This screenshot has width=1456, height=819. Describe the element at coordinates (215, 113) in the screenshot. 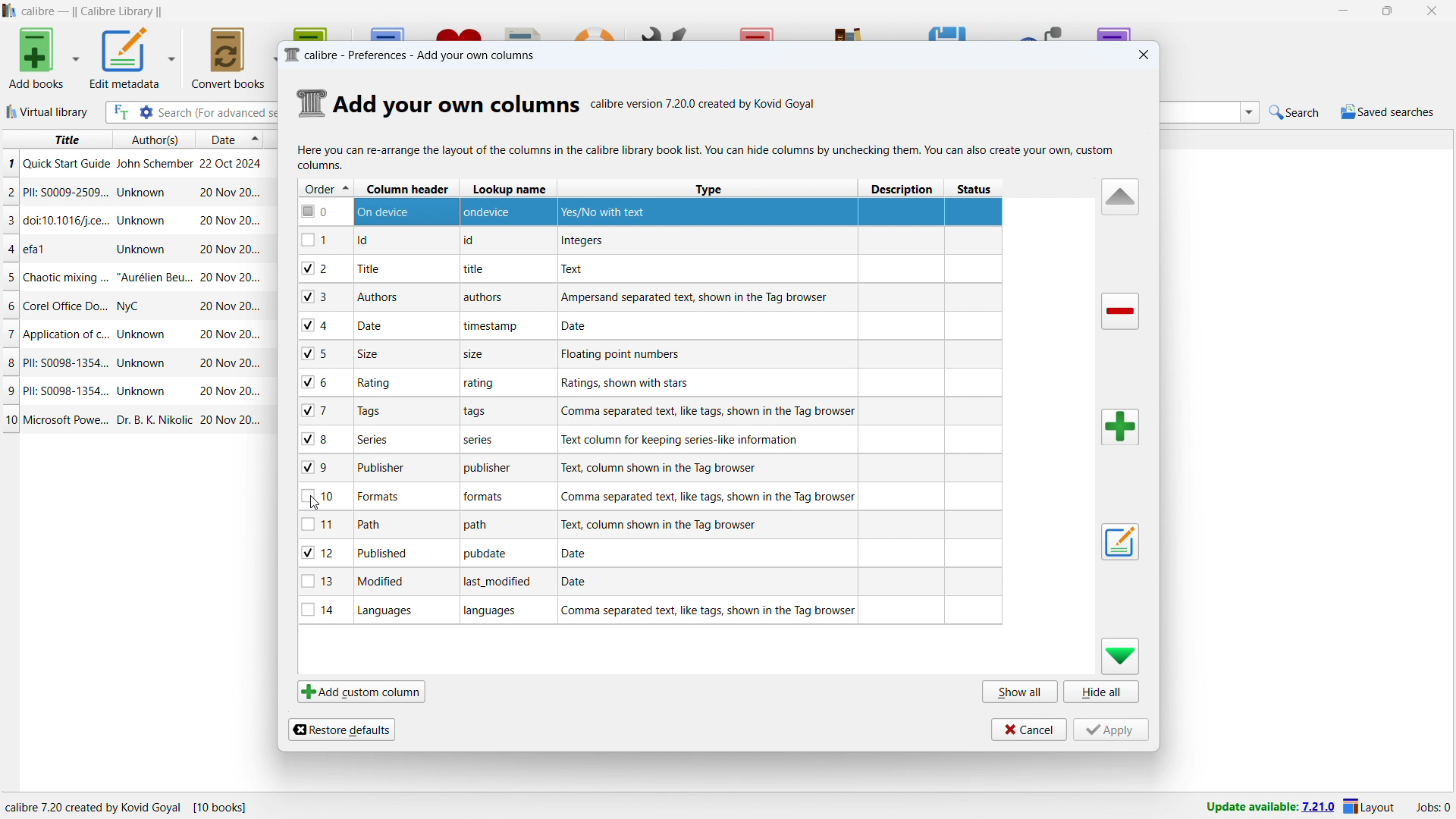

I see `enter search string` at that location.